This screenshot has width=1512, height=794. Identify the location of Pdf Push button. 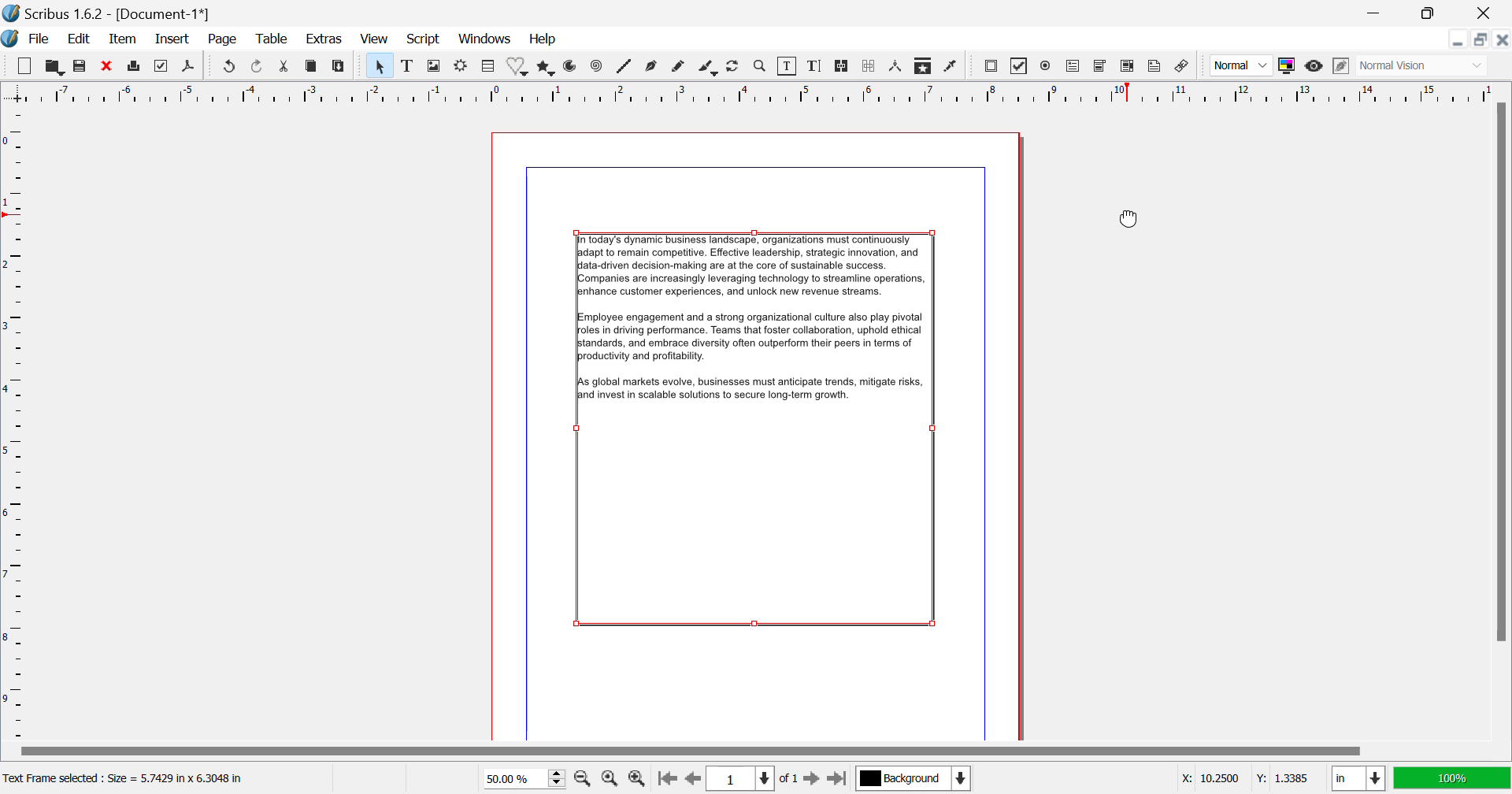
(991, 65).